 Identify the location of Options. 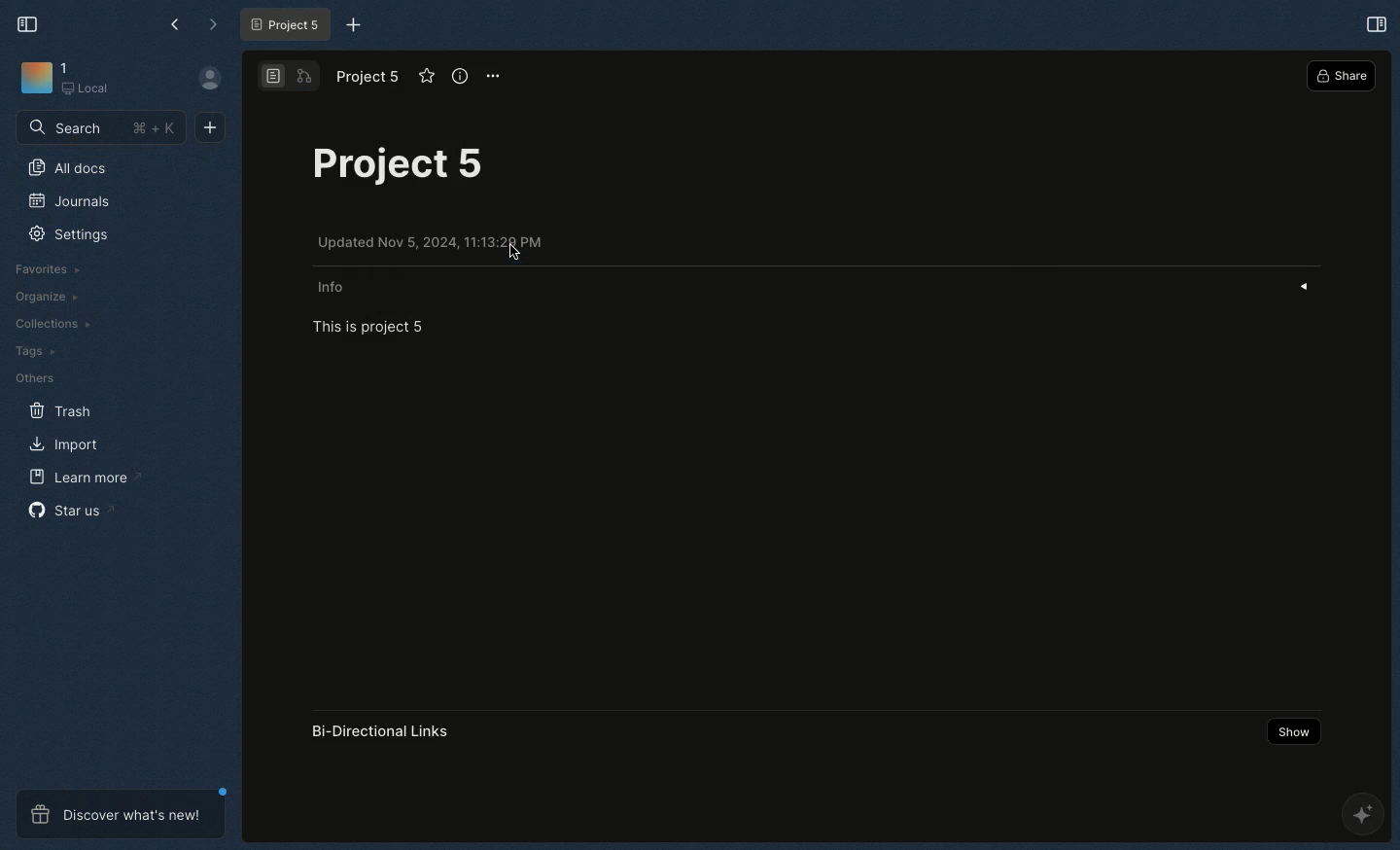
(496, 74).